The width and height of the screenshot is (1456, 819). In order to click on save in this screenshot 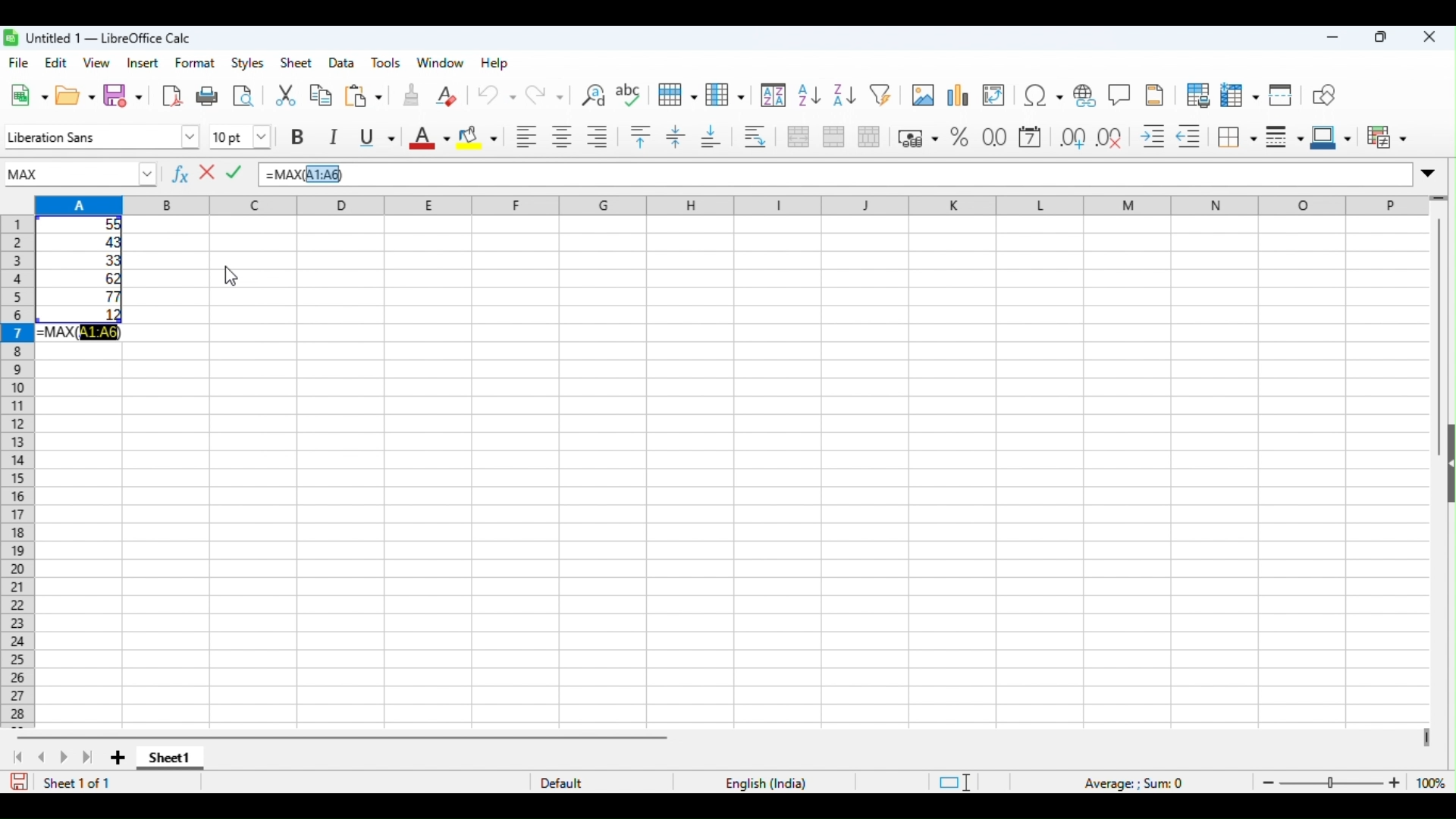, I will do `click(123, 96)`.